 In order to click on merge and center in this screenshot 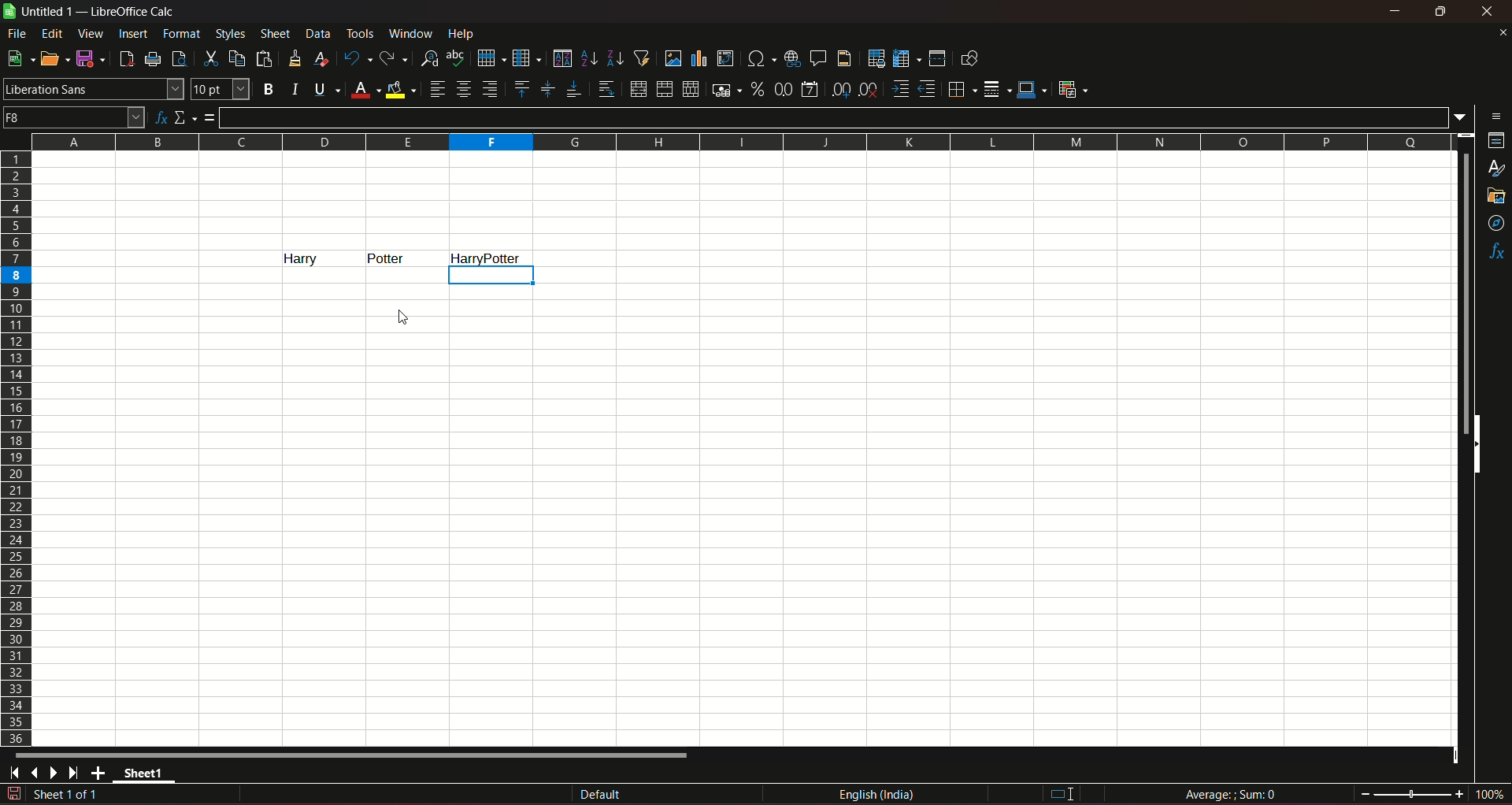, I will do `click(637, 89)`.